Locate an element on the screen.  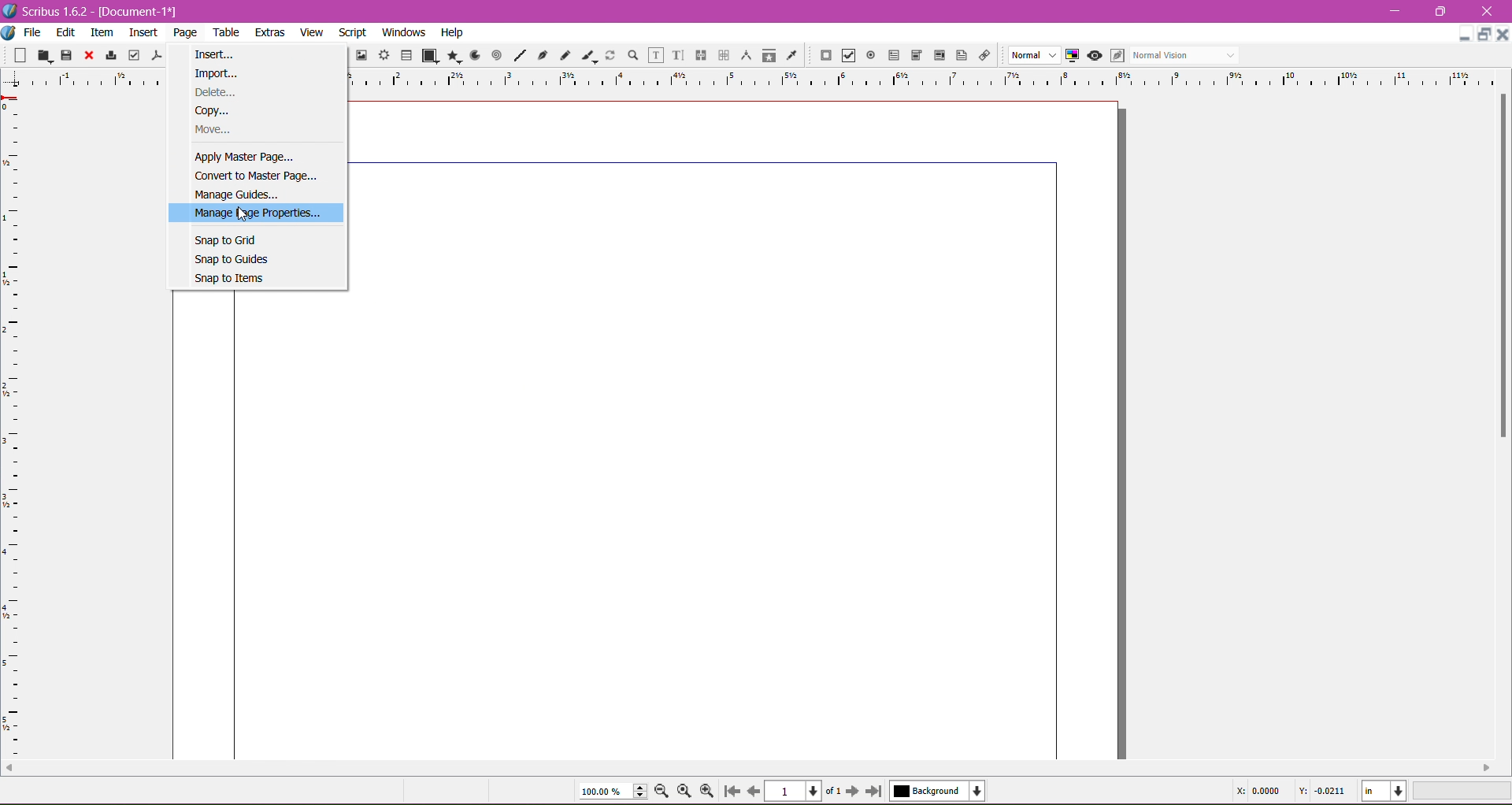
Restore Down is located at coordinates (1439, 12).